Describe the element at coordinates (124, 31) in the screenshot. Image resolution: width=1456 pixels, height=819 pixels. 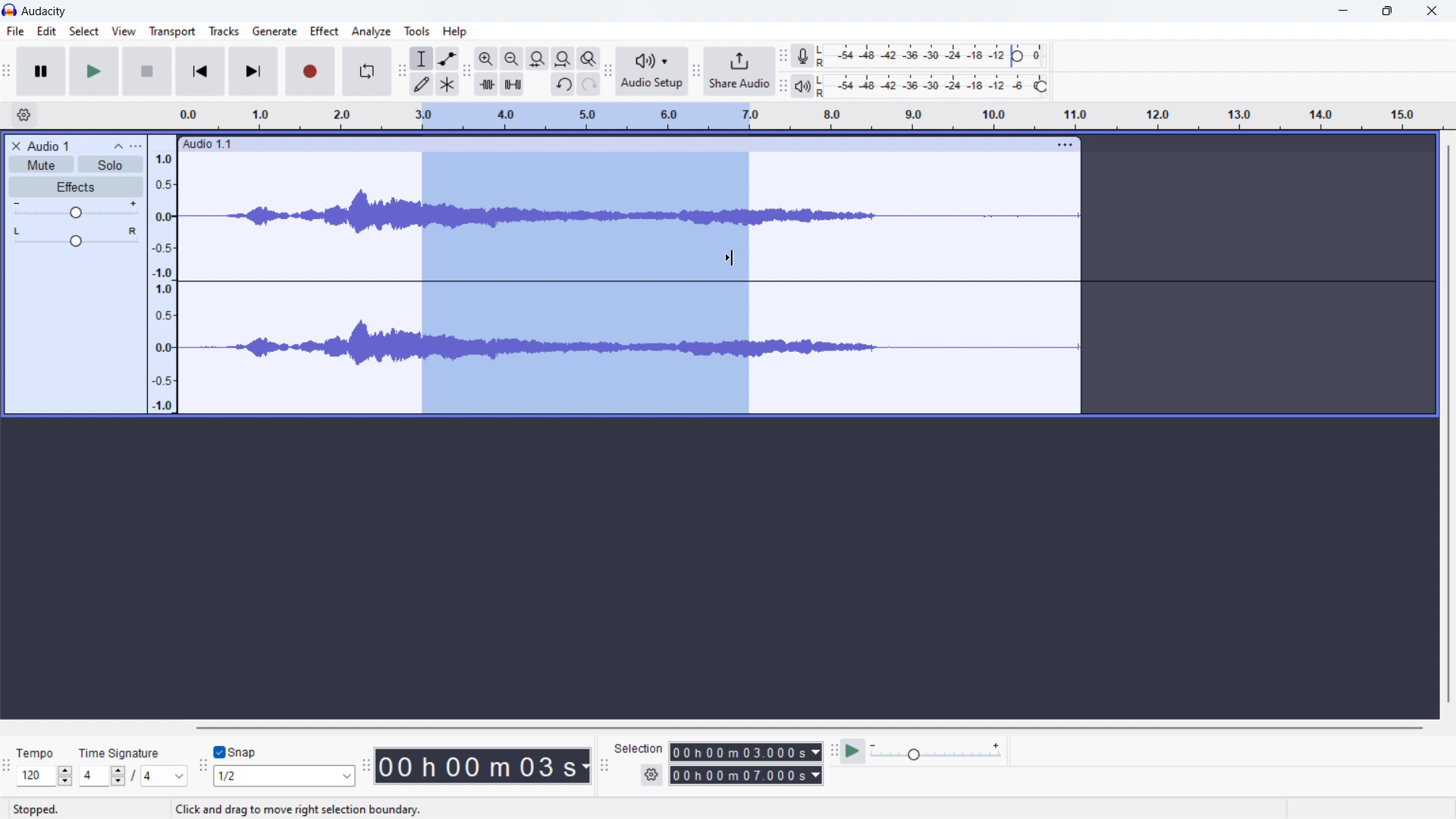
I see `view` at that location.